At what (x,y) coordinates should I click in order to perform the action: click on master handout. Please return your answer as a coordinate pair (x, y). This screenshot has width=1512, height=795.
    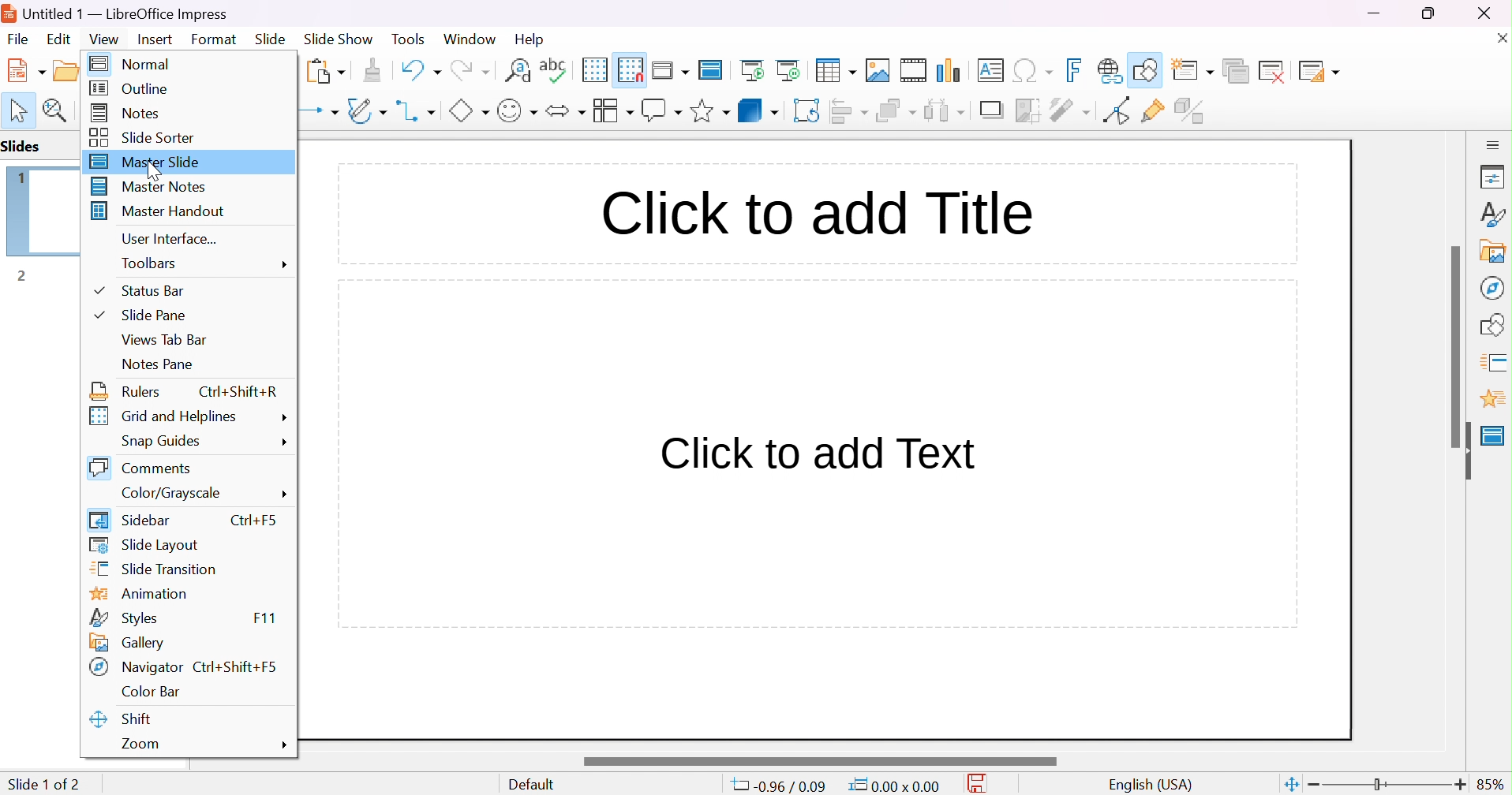
    Looking at the image, I should click on (160, 210).